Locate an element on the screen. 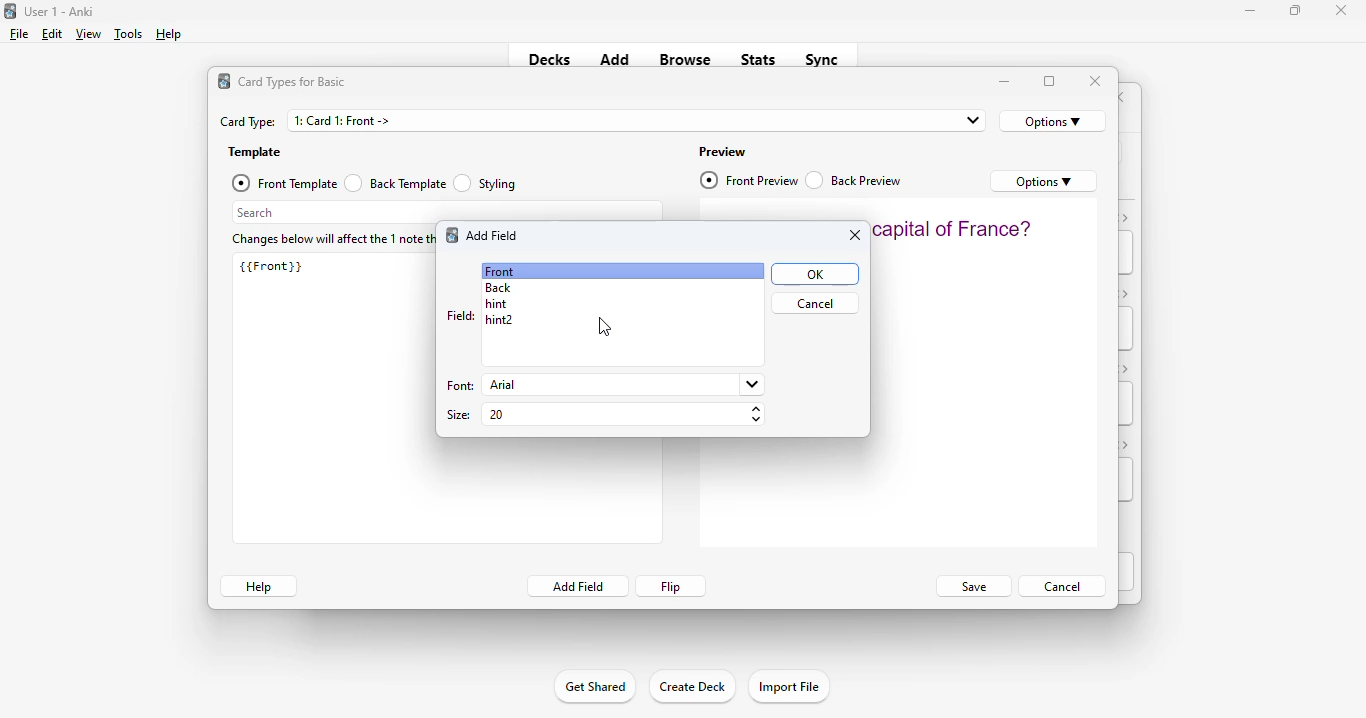 The width and height of the screenshot is (1366, 718). help is located at coordinates (167, 34).